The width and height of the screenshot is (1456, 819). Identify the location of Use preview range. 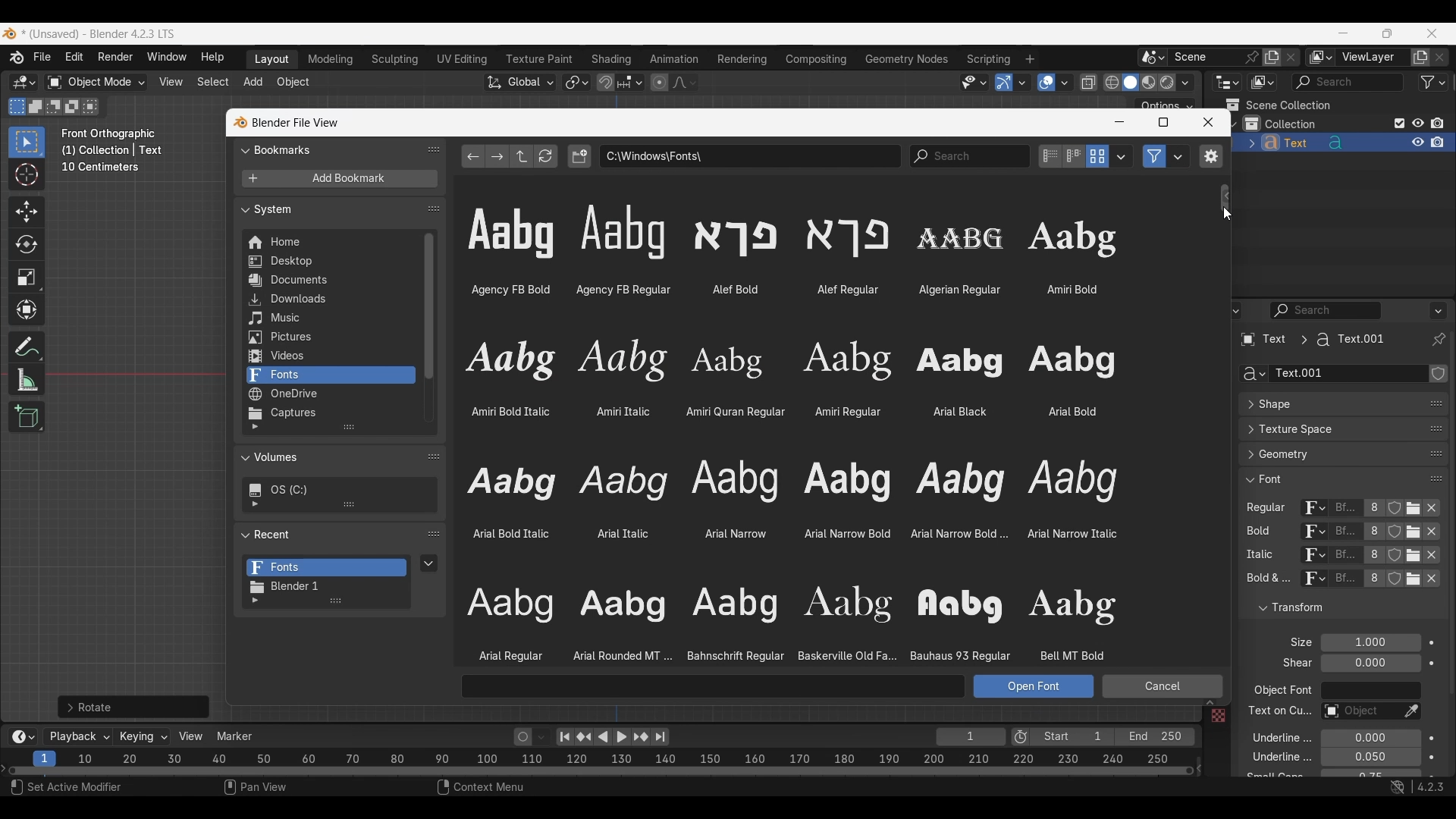
(1021, 737).